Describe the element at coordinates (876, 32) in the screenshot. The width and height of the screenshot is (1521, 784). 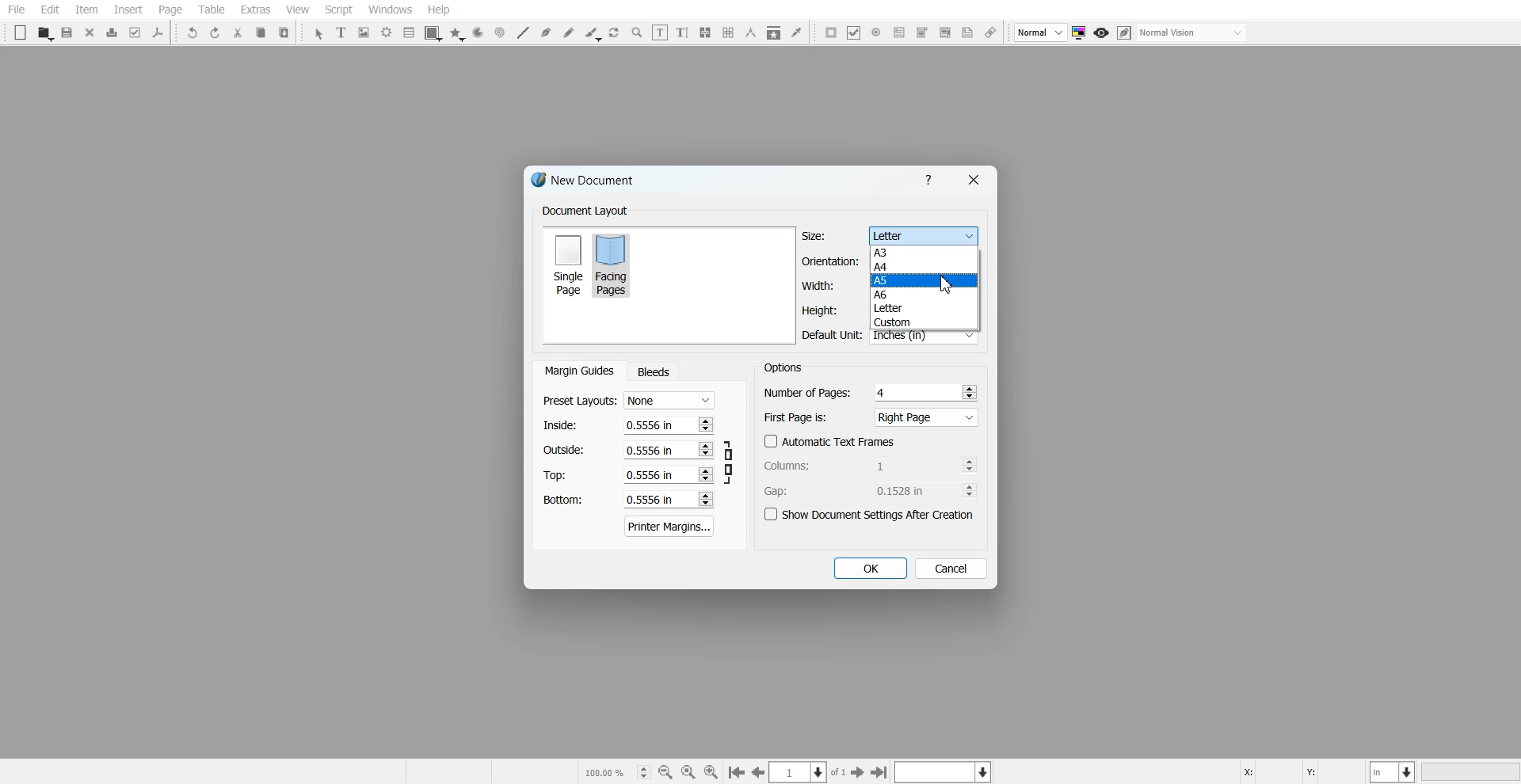
I see `PDF Radio Button` at that location.